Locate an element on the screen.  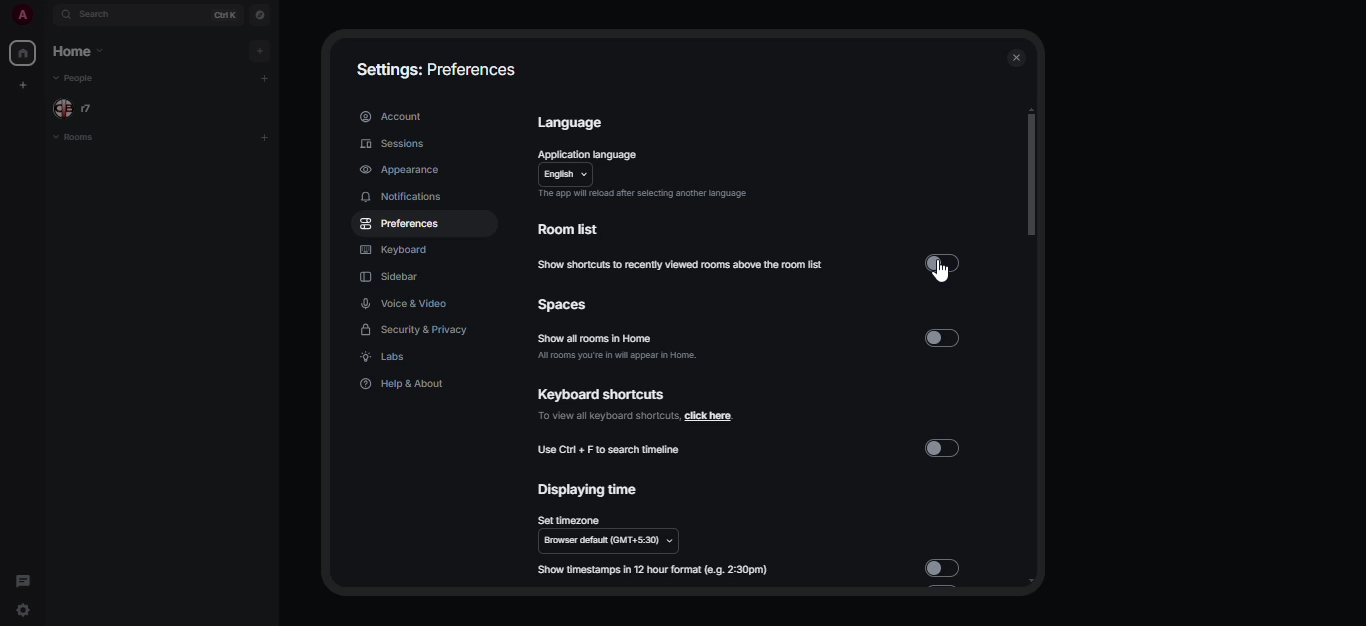
labs is located at coordinates (387, 357).